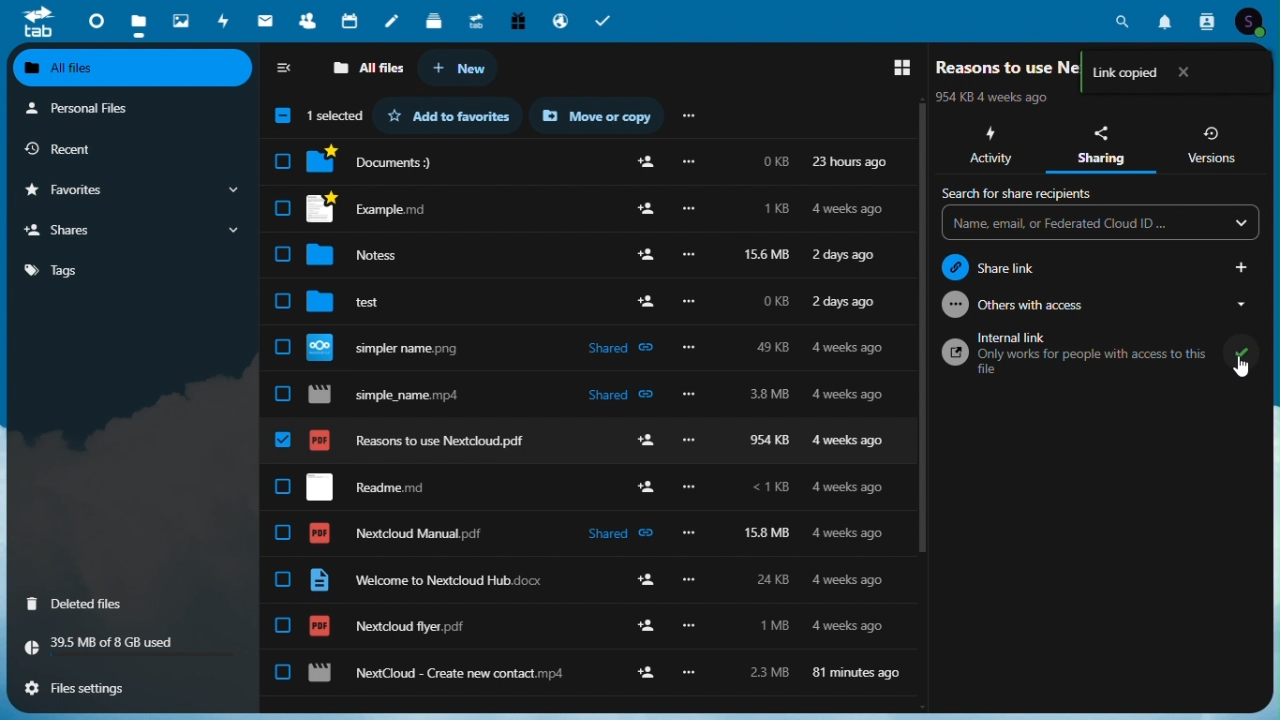 The width and height of the screenshot is (1280, 720). What do you see at coordinates (689, 395) in the screenshot?
I see `` at bounding box center [689, 395].